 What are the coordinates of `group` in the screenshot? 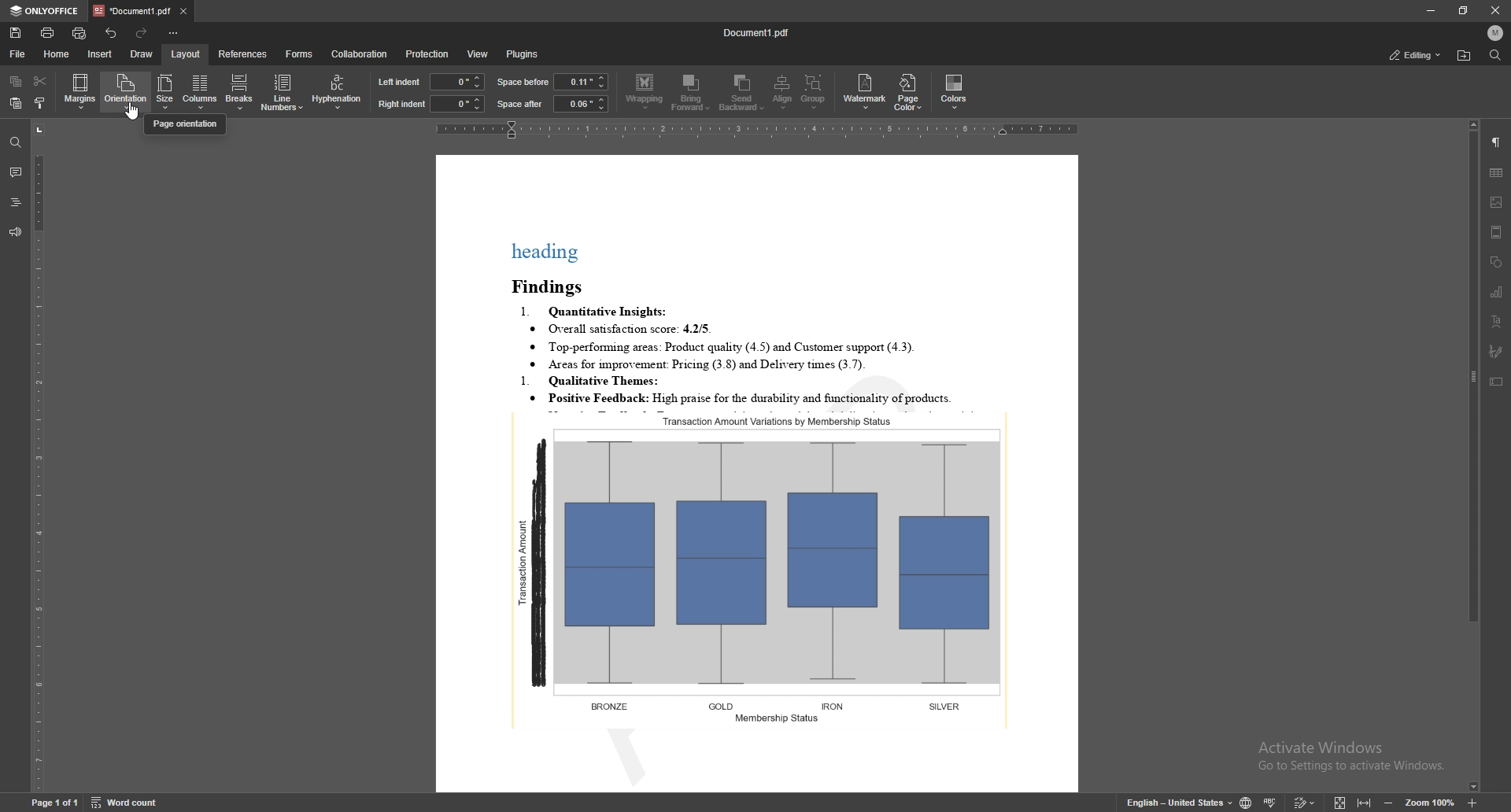 It's located at (813, 91).